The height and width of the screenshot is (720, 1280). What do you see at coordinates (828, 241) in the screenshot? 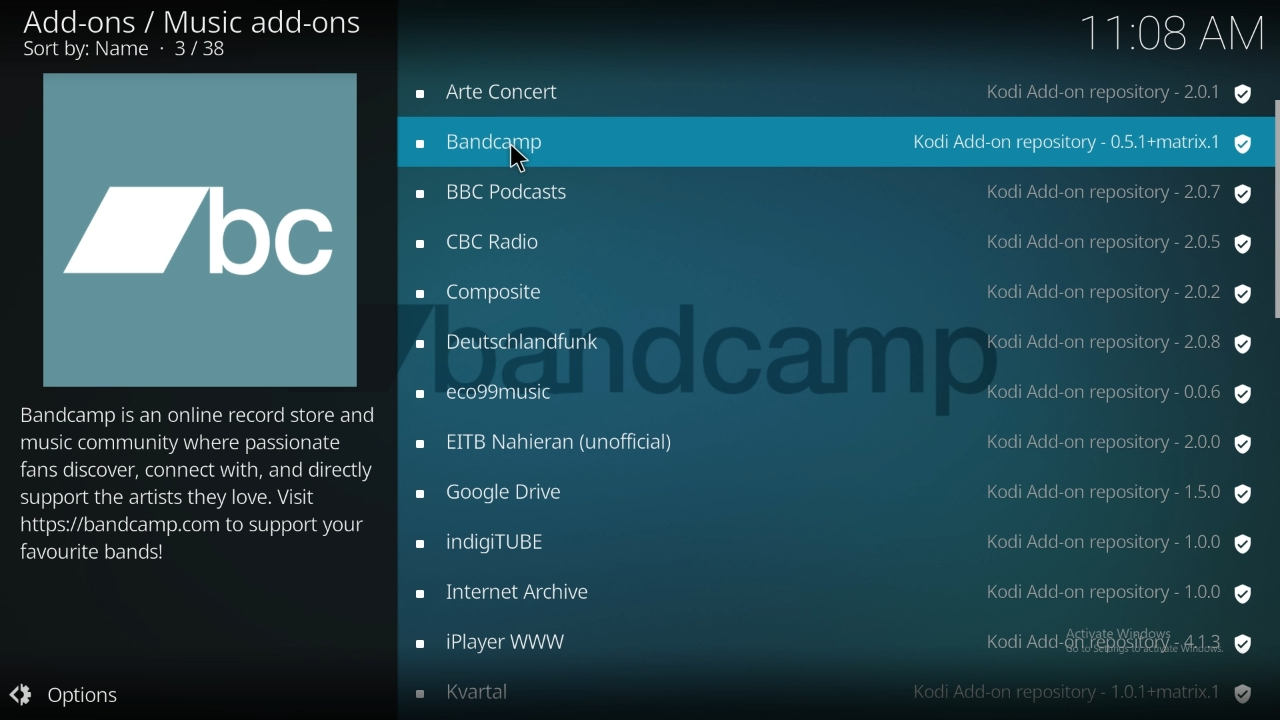
I see `add on` at bounding box center [828, 241].